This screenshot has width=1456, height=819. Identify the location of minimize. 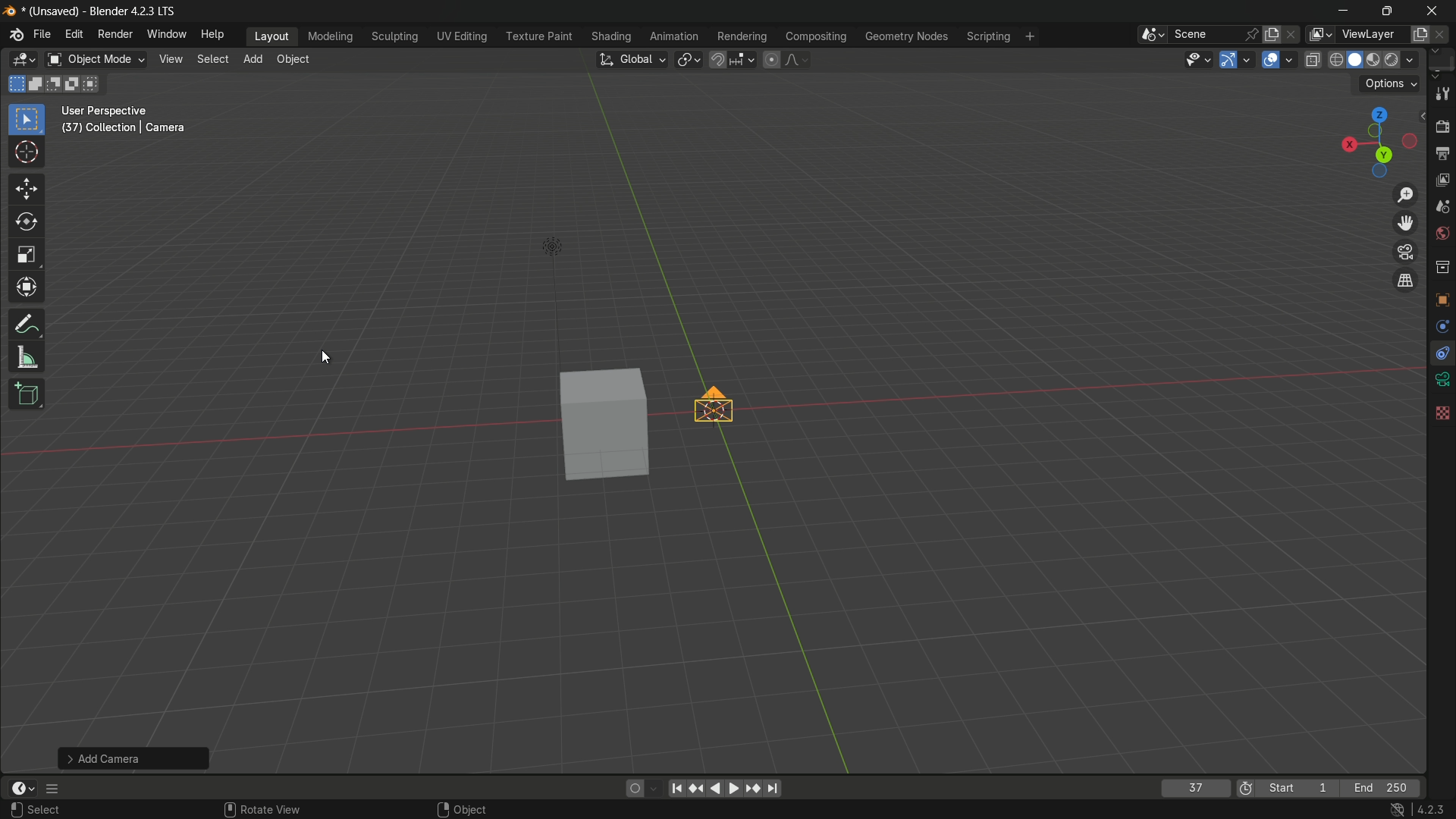
(1338, 11).